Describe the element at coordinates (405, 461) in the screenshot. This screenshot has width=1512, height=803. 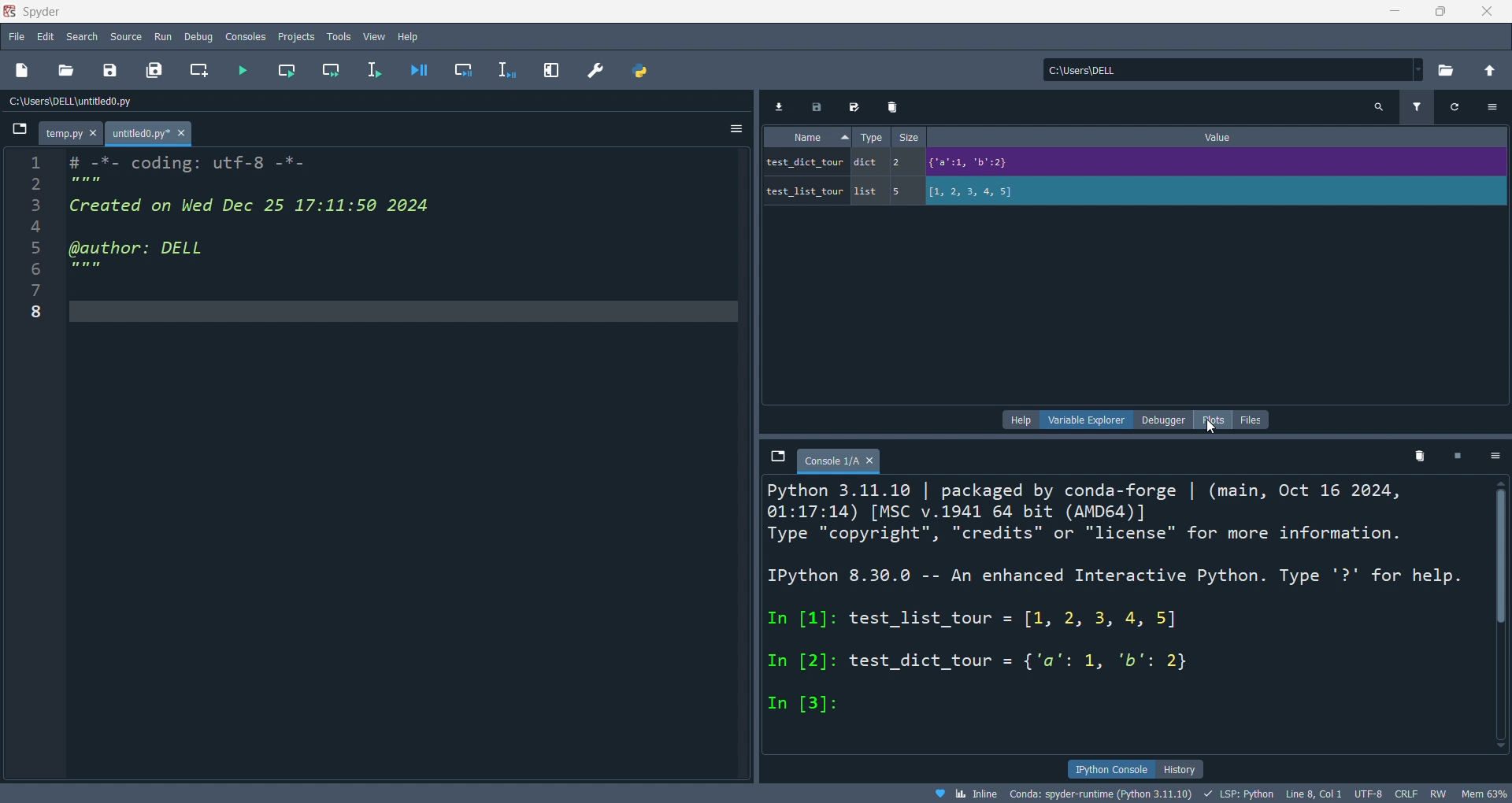
I see `editor pane` at that location.